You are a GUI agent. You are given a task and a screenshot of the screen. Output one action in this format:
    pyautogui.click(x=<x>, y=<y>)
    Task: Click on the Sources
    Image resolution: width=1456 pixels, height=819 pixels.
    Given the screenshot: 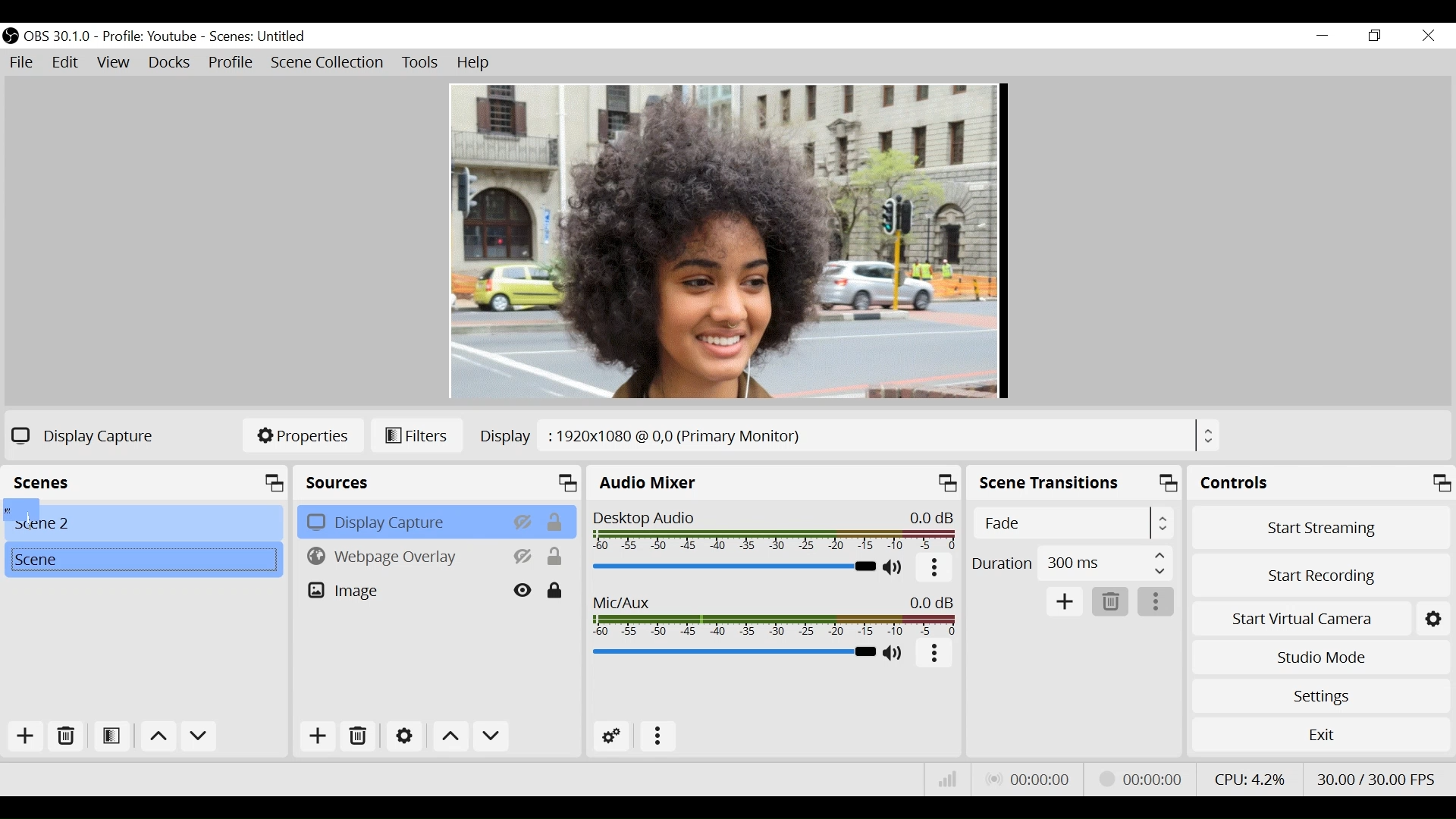 What is the action you would take?
    pyautogui.click(x=439, y=482)
    